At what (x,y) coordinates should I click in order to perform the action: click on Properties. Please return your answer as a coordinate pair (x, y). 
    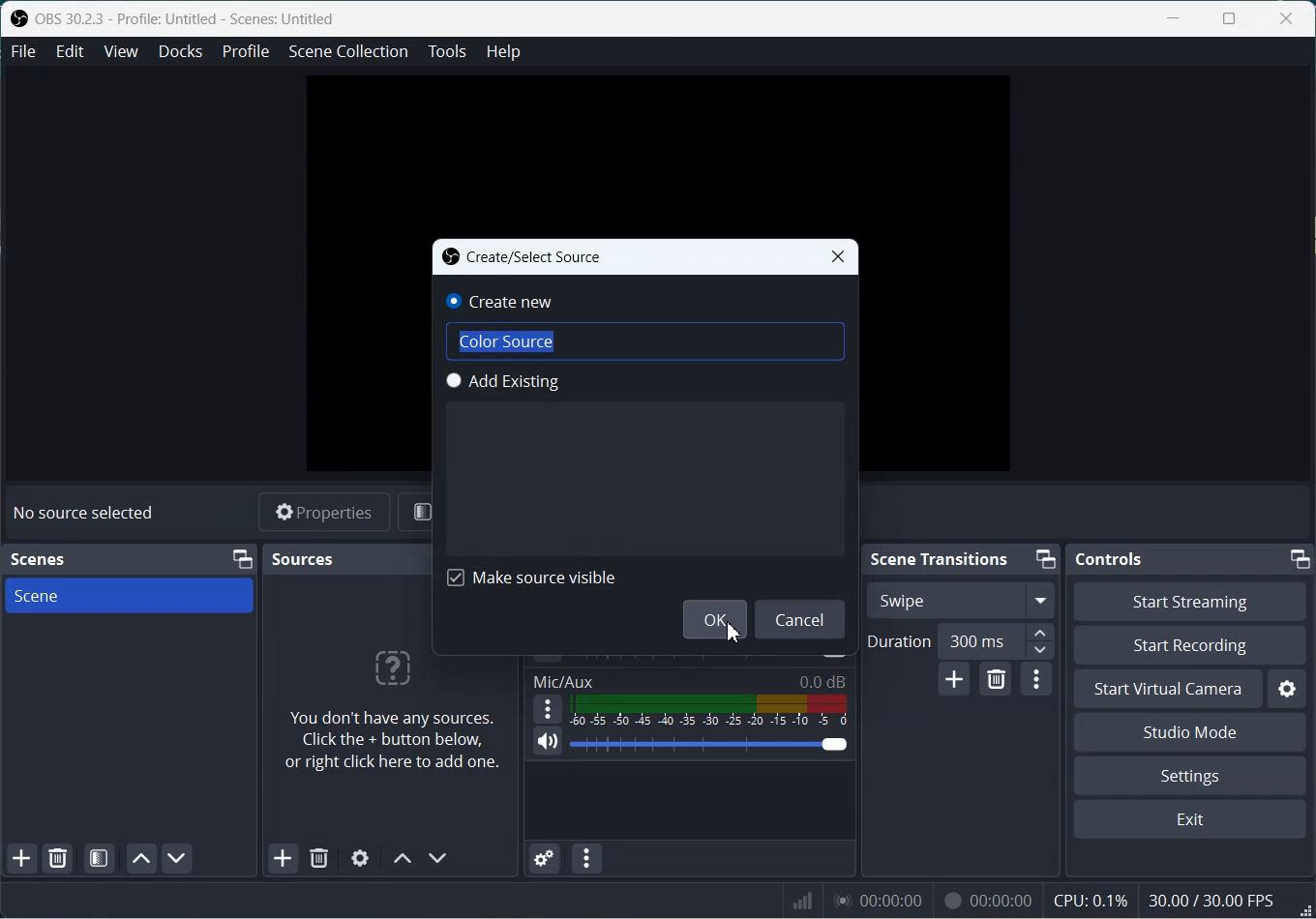
    Looking at the image, I should click on (325, 511).